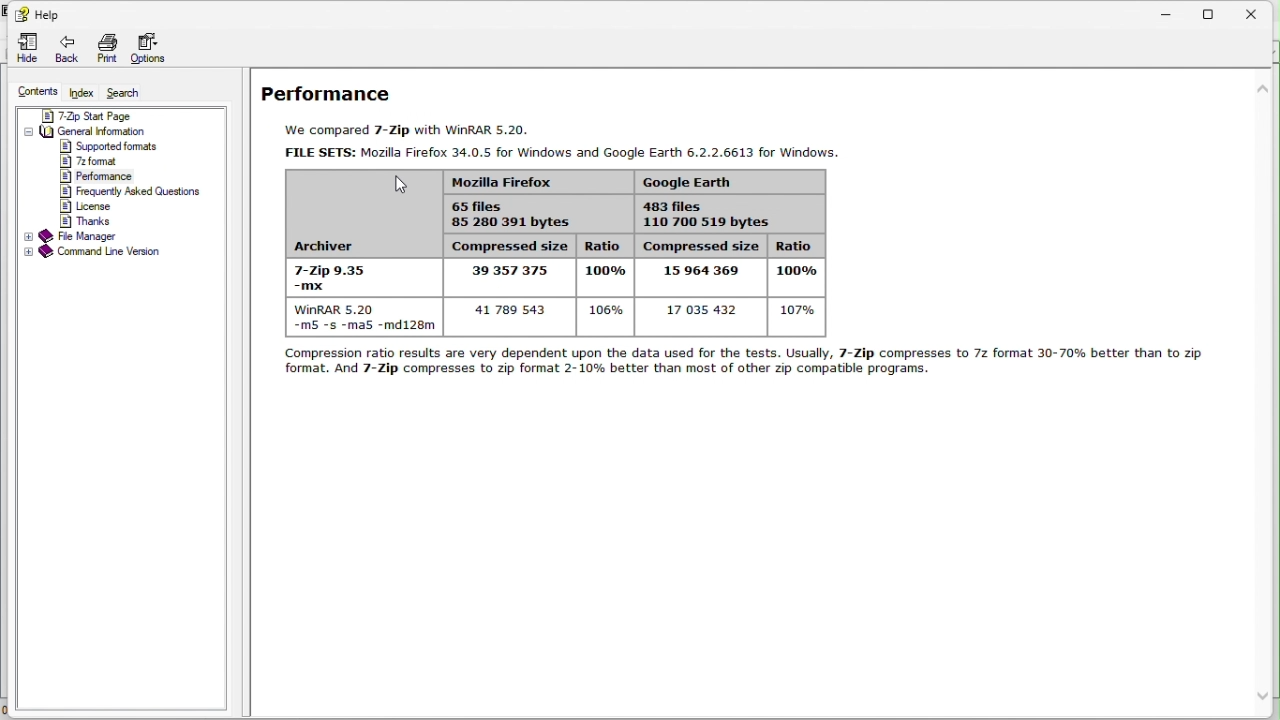 The width and height of the screenshot is (1280, 720). I want to click on Compression ratio results are very dependent upon the data used for the tests. Usually, 7-Zip compresses to 7z format 30-70% better than to zip
format. And 7-Zip compresses to zip format 2- 10% better than most of other zip compatible programs., so click(742, 365).